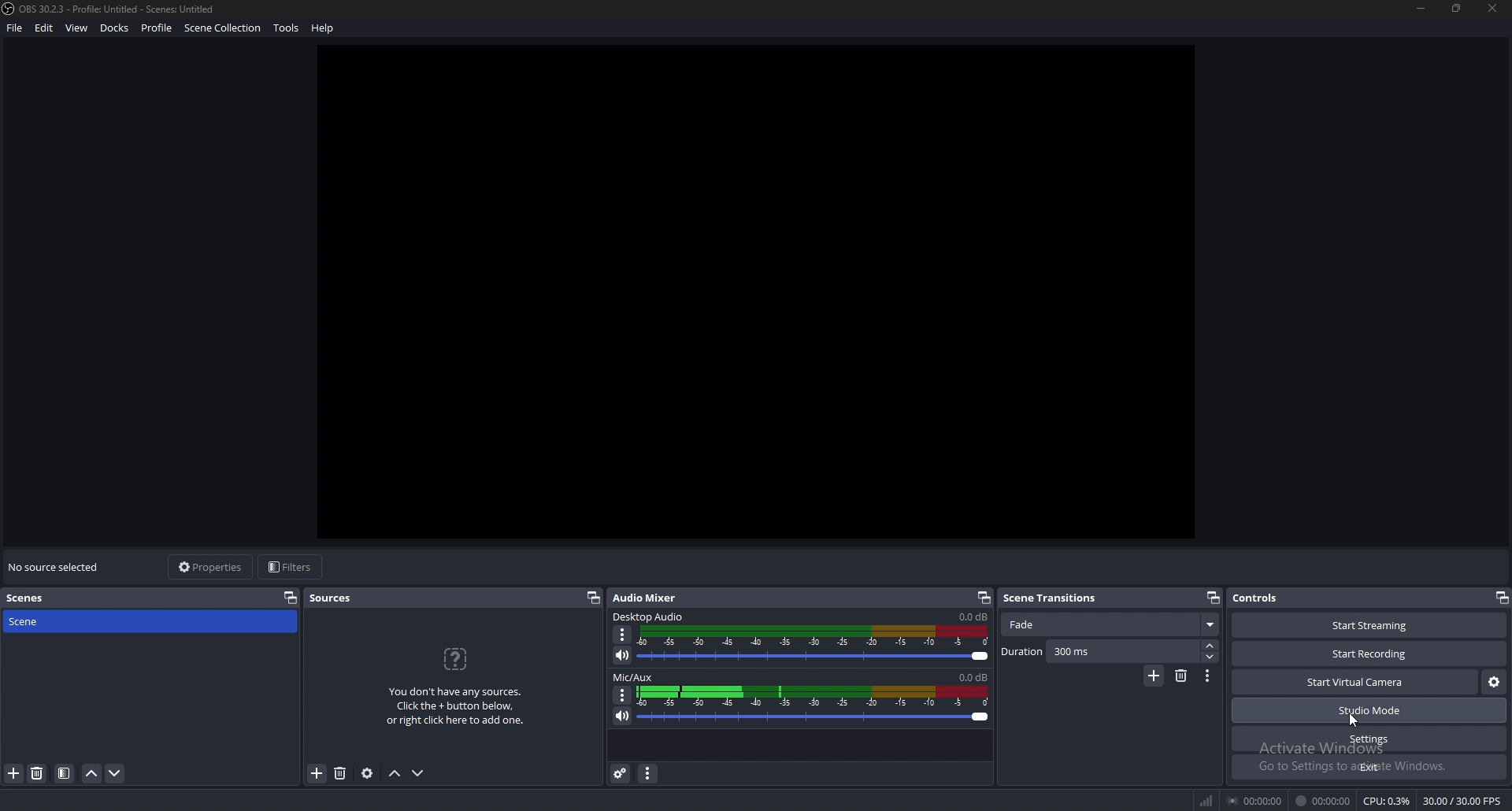  I want to click on filter, so click(65, 774).